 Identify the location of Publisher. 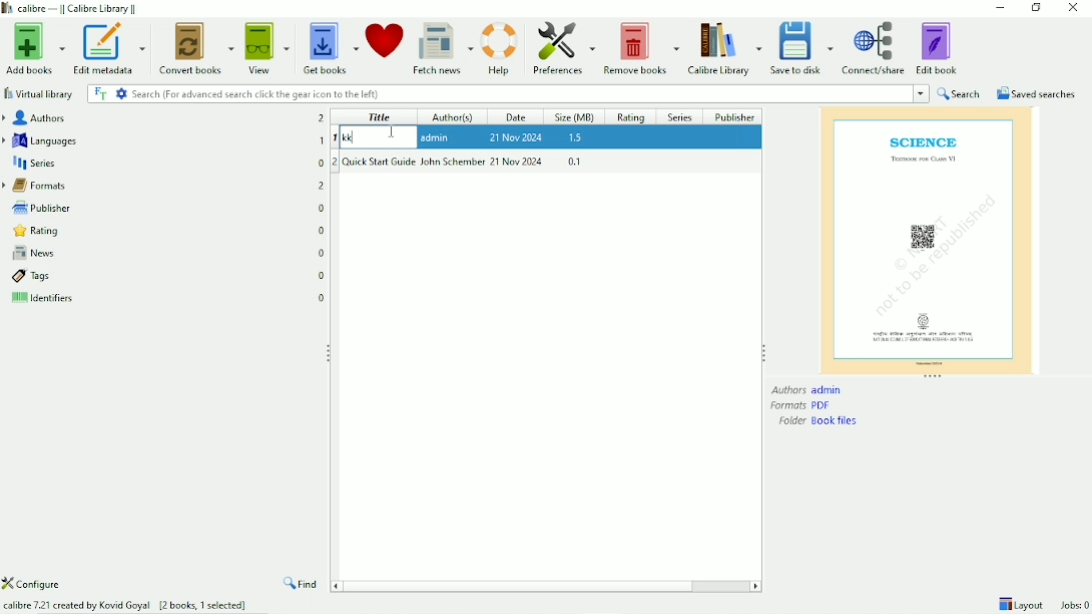
(735, 116).